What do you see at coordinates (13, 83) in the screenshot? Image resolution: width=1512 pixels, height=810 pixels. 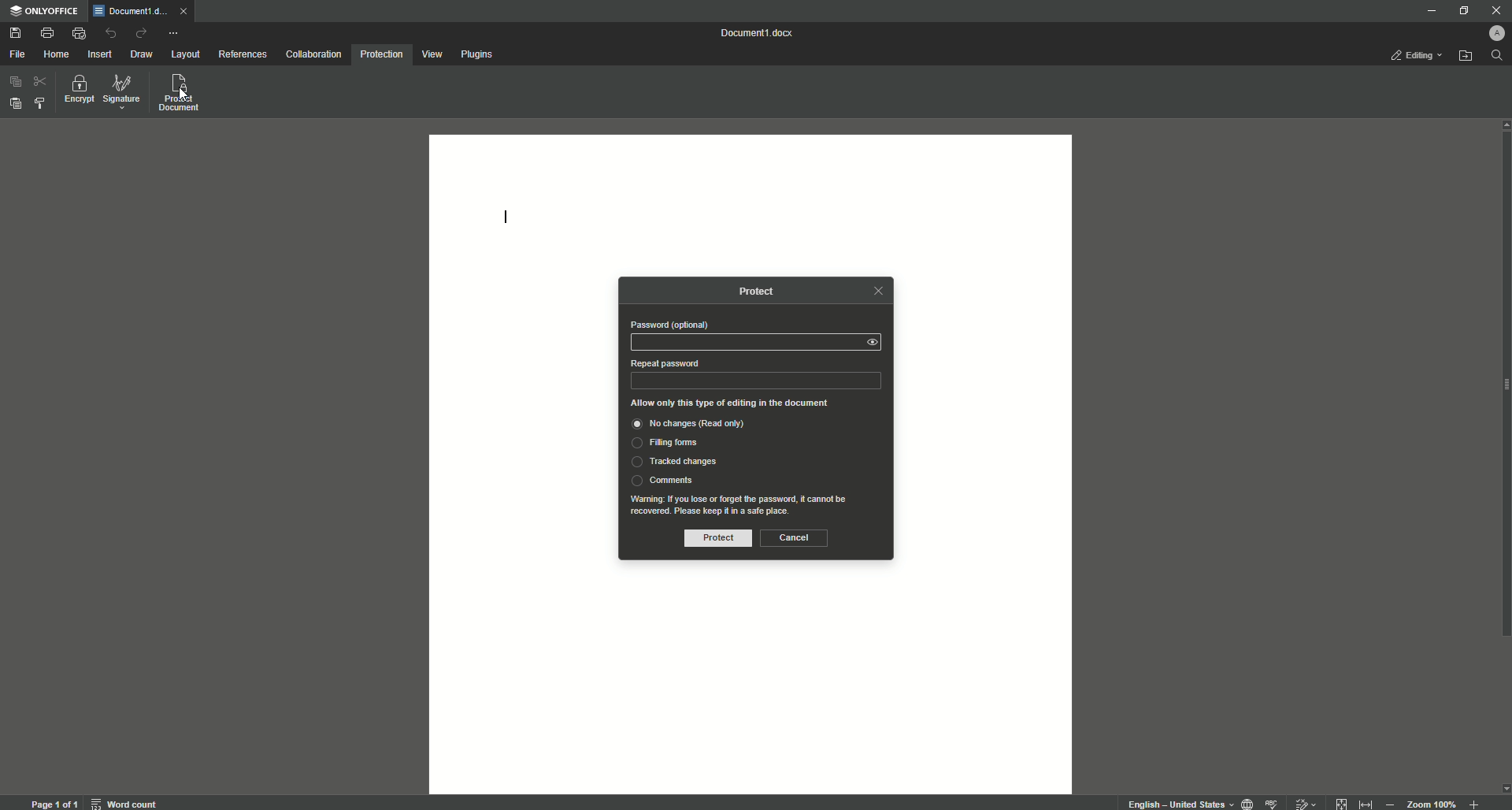 I see `Copy` at bounding box center [13, 83].